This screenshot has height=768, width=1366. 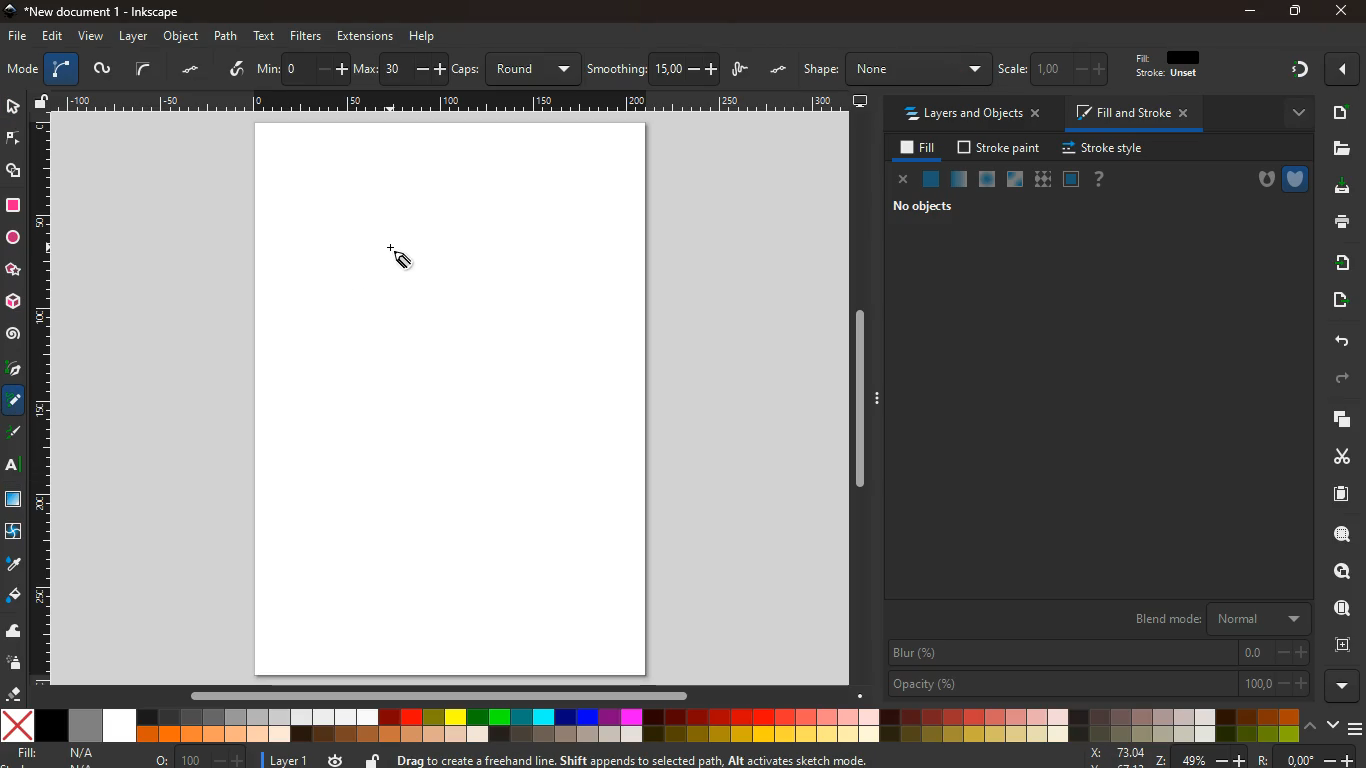 I want to click on blend mode, so click(x=1218, y=616).